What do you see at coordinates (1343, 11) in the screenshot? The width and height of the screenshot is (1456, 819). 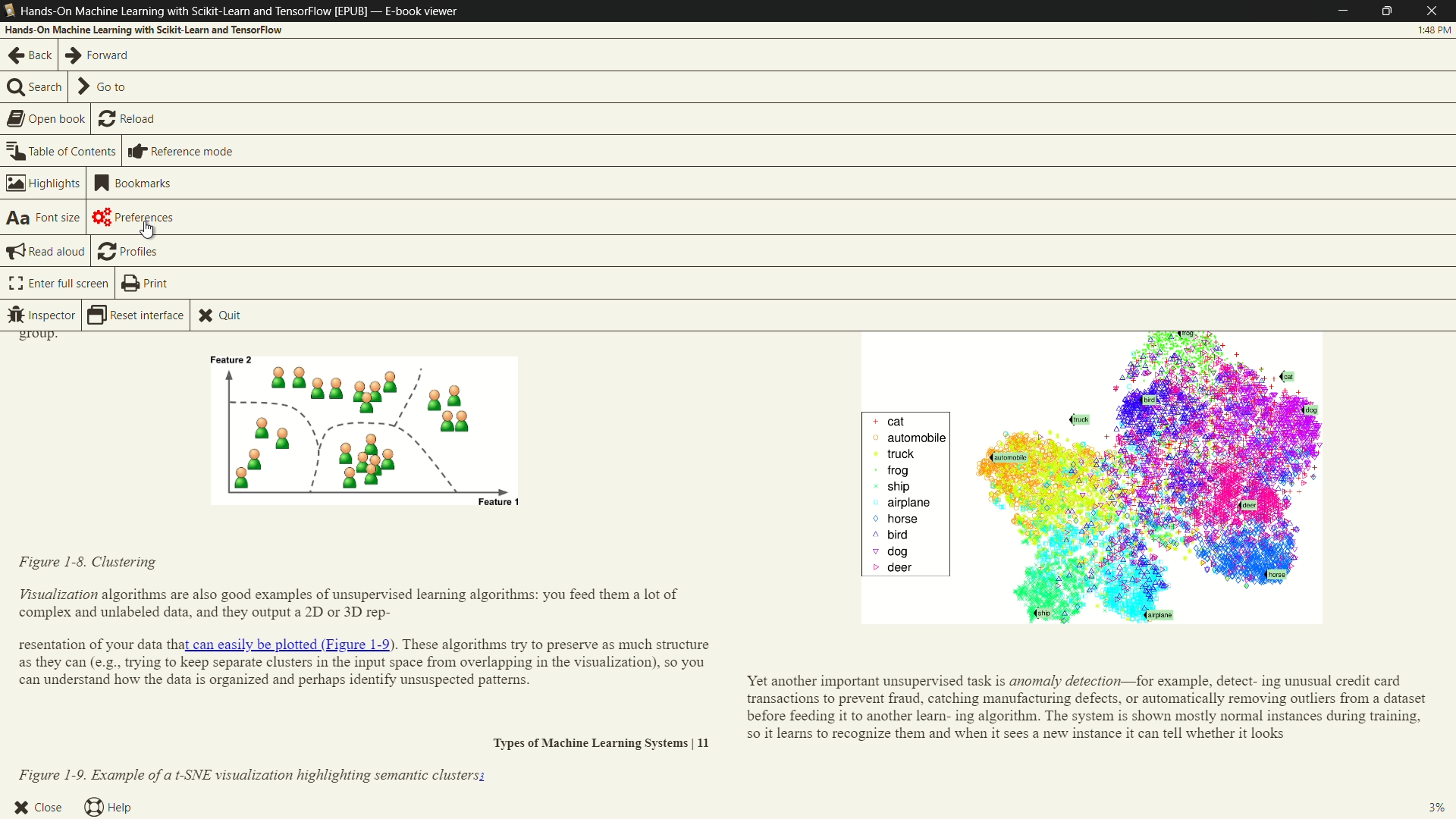 I see `minimize` at bounding box center [1343, 11].